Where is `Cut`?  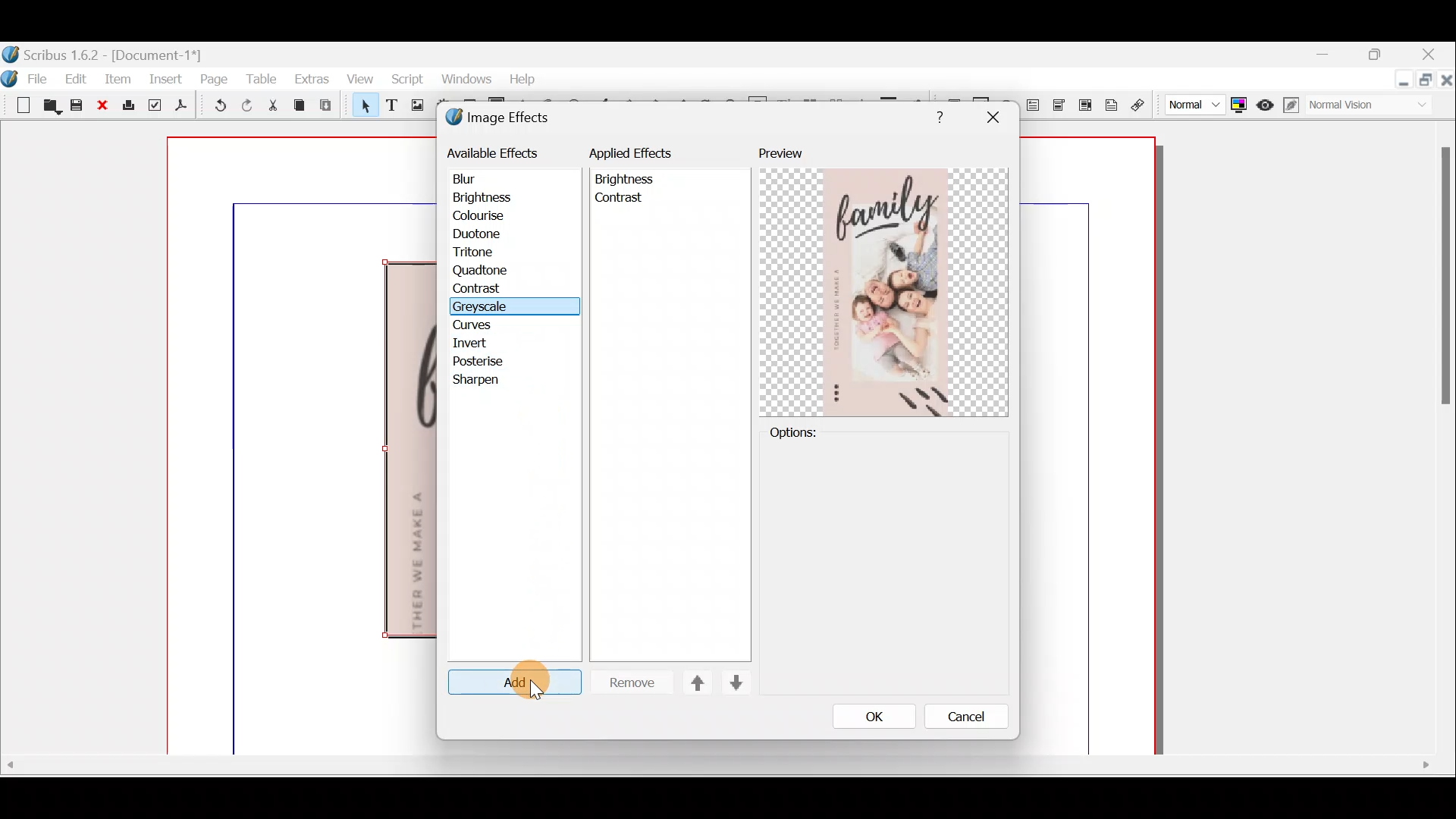
Cut is located at coordinates (274, 106).